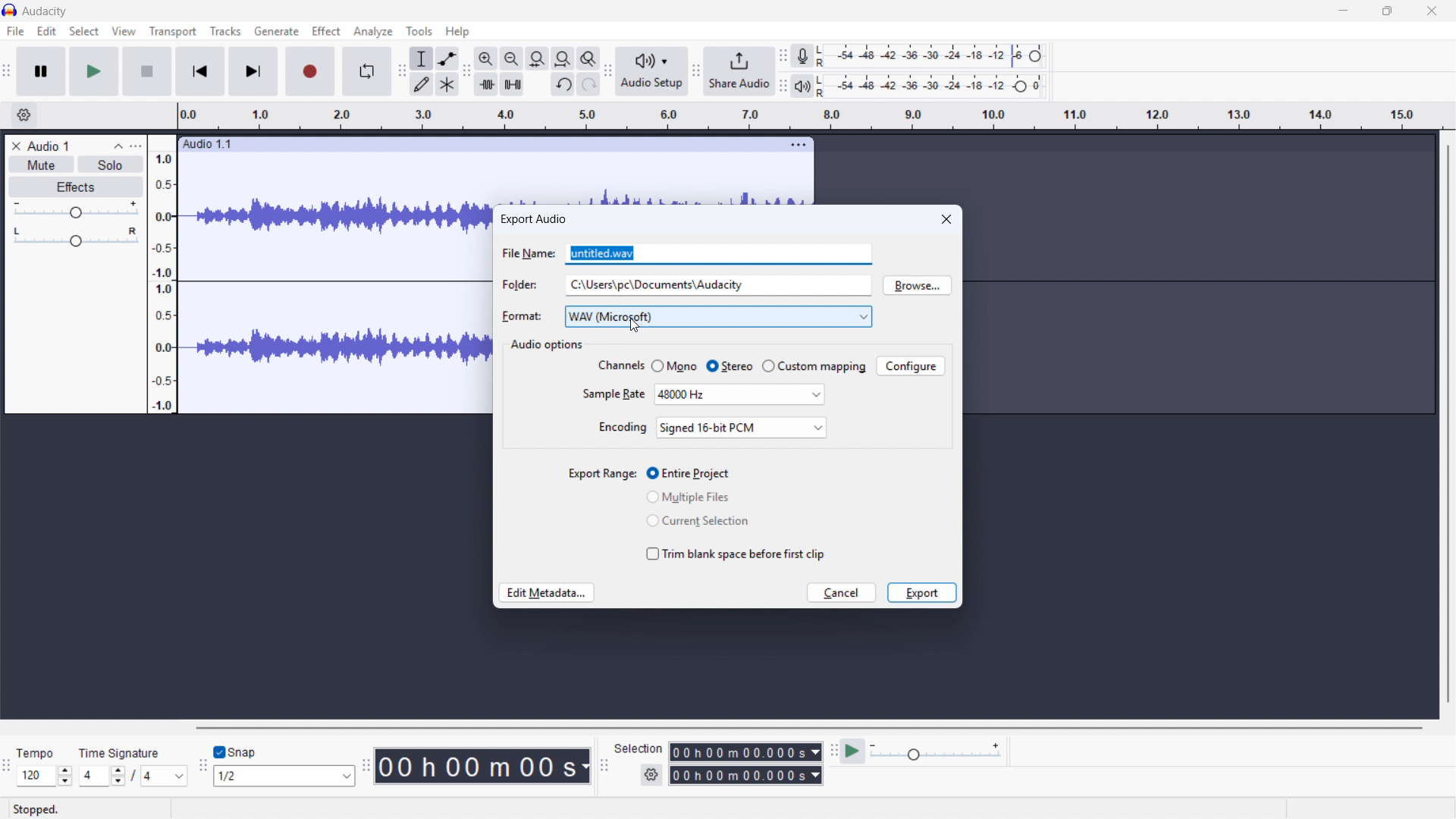 Image resolution: width=1456 pixels, height=819 pixels. I want to click on  Edit , so click(46, 32).